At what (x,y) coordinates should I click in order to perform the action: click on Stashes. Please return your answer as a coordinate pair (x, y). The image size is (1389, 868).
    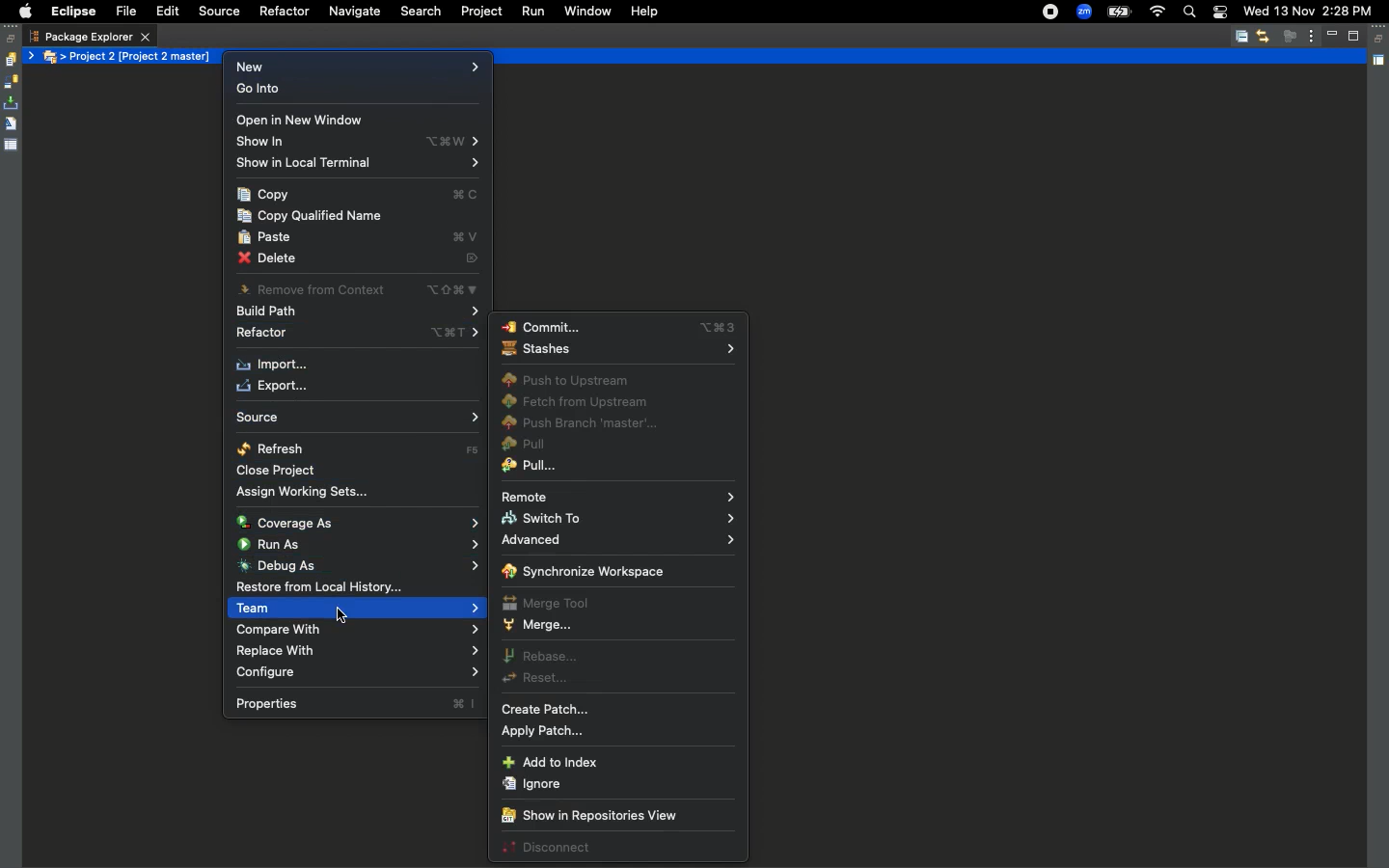
    Looking at the image, I should click on (615, 353).